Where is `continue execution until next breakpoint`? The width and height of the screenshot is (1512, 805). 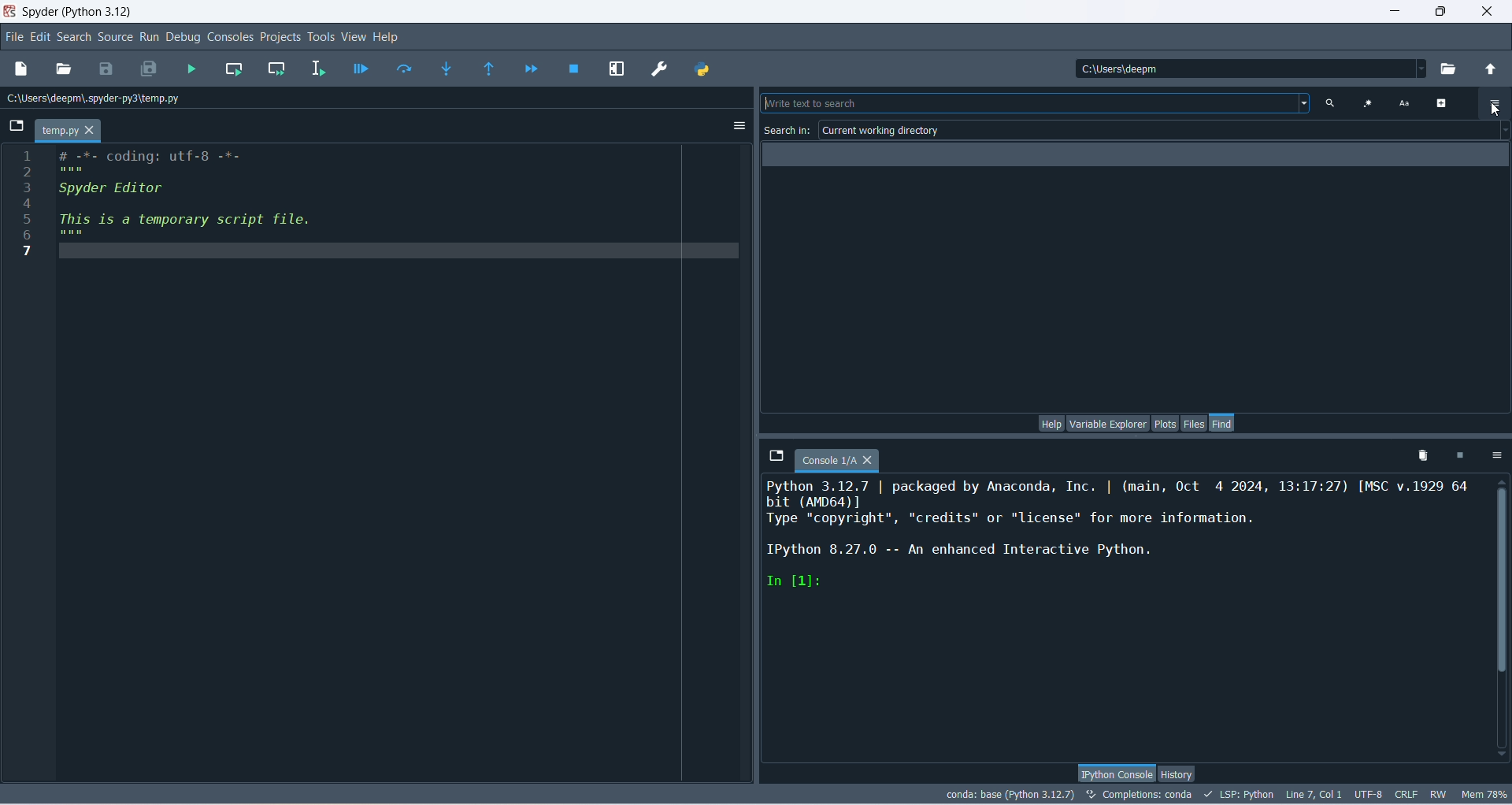
continue execution until next breakpoint is located at coordinates (529, 69).